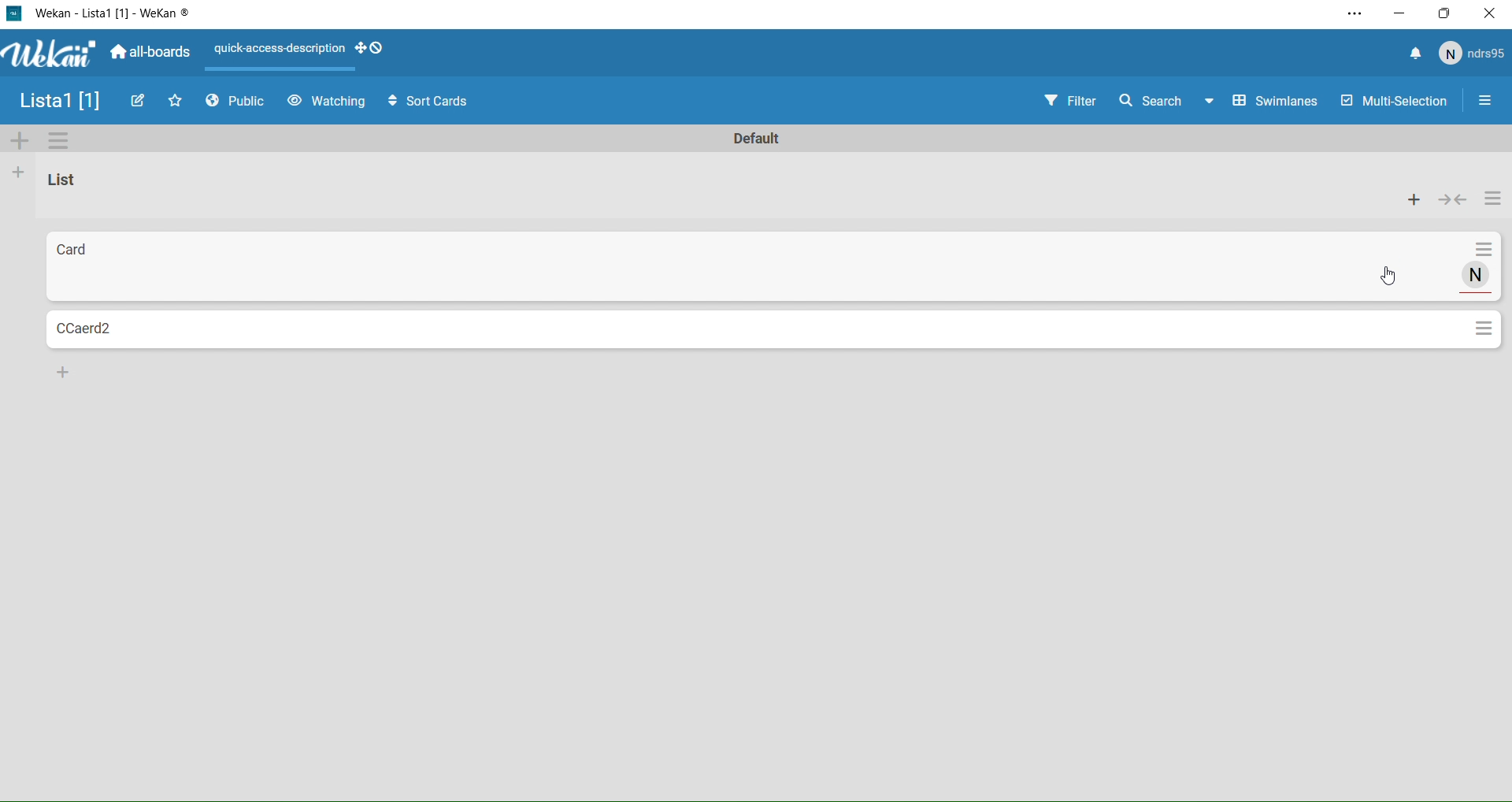 This screenshot has width=1512, height=802. Describe the element at coordinates (1446, 13) in the screenshot. I see `Box` at that location.